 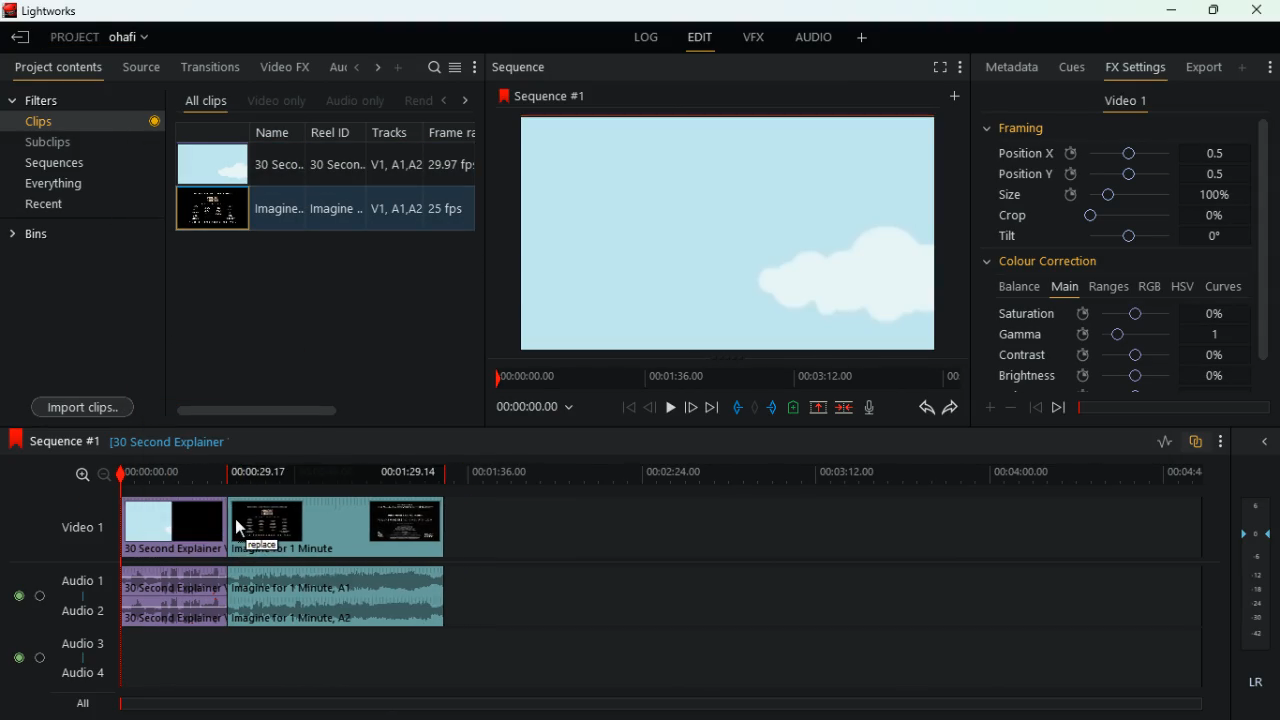 What do you see at coordinates (646, 39) in the screenshot?
I see `log` at bounding box center [646, 39].